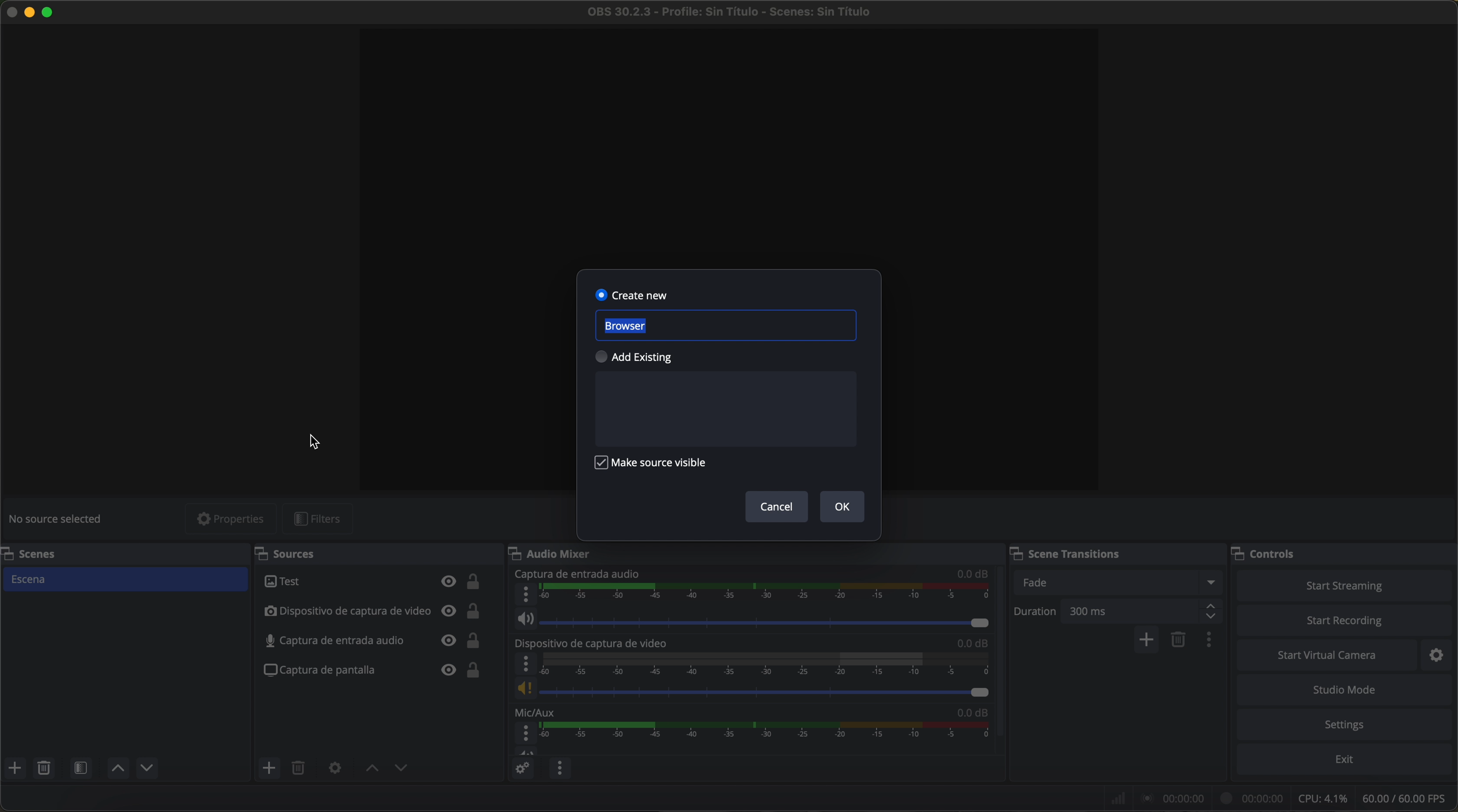  I want to click on scene, so click(127, 579).